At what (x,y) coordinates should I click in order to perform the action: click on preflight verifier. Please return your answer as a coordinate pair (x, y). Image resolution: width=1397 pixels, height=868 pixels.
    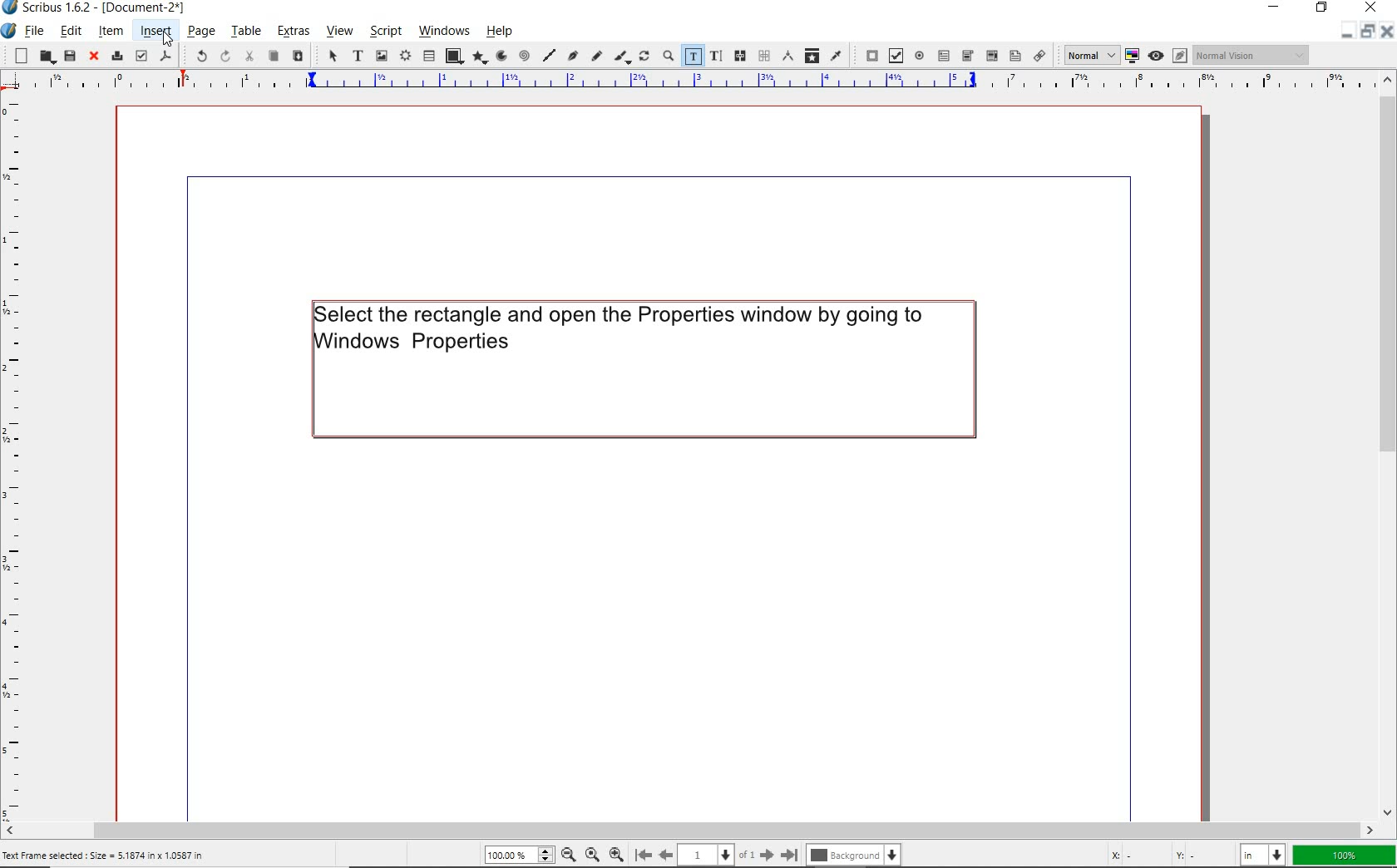
    Looking at the image, I should click on (141, 56).